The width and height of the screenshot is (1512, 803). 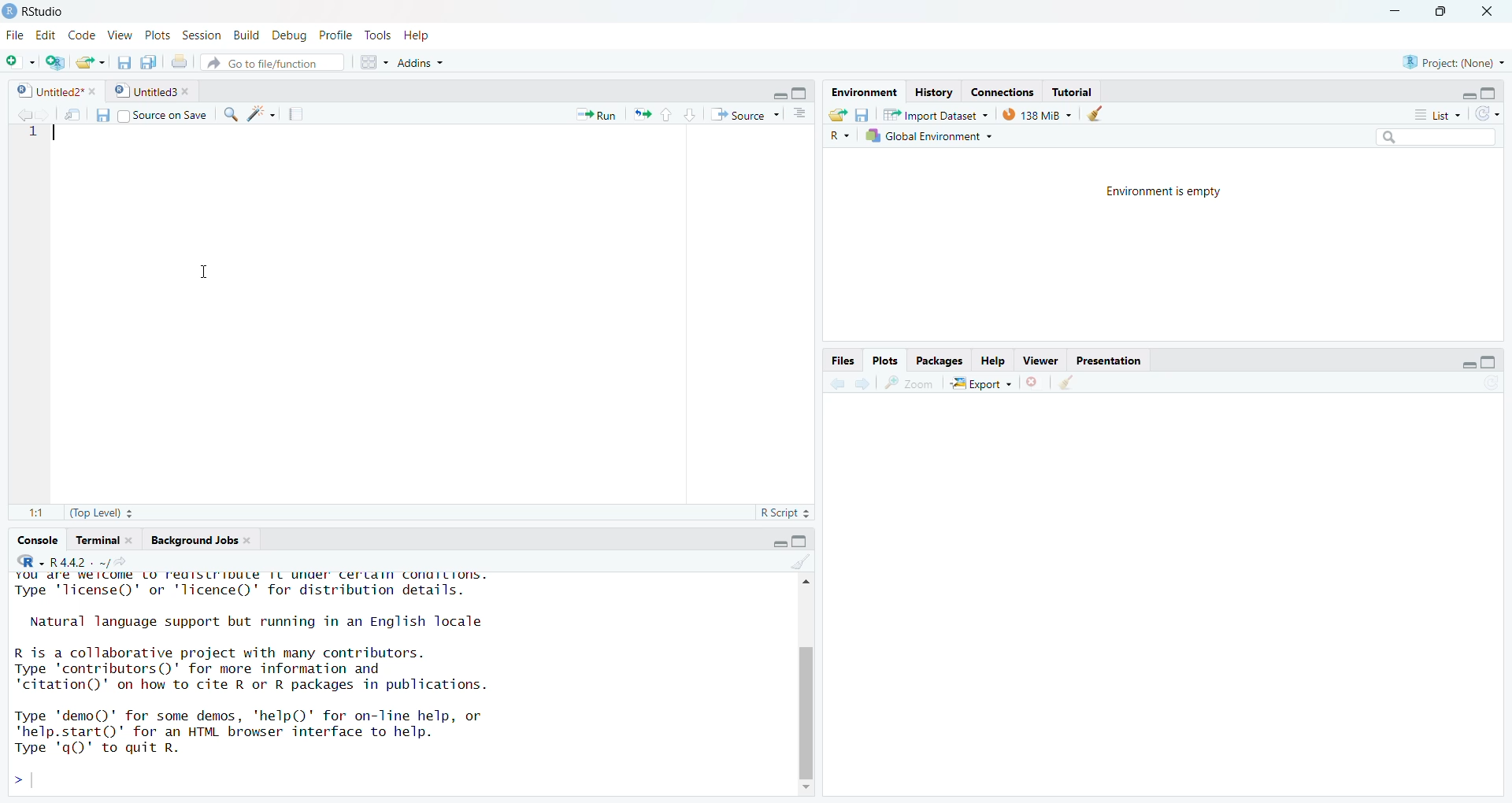 I want to click on clear viewer, so click(x=1066, y=382).